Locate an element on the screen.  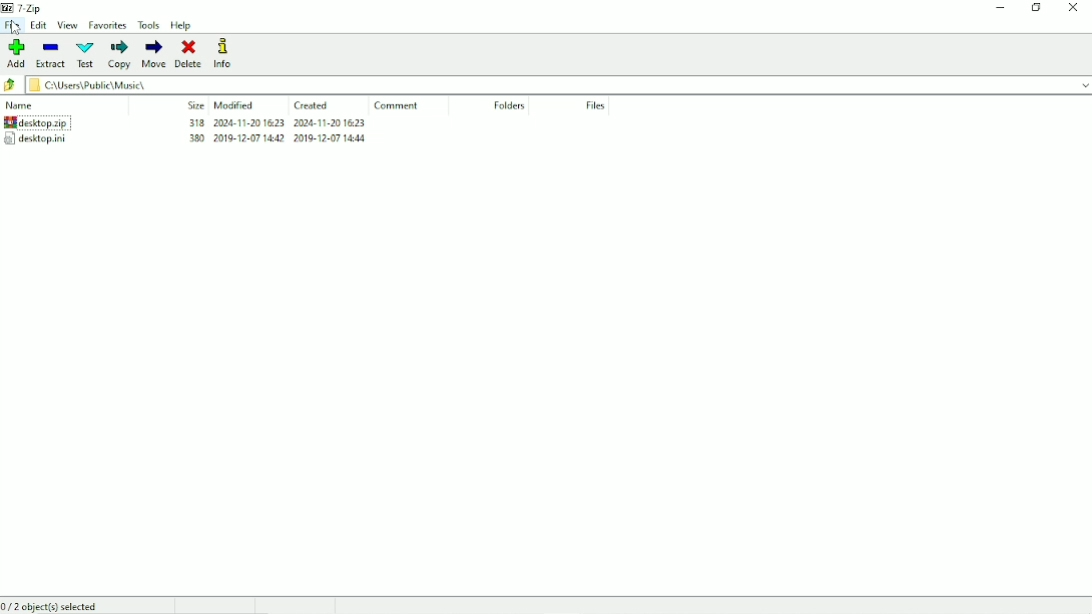
318 2024-11-201623 2024-11-20 1623
MW 200207140 2016-207 kd is located at coordinates (278, 135).